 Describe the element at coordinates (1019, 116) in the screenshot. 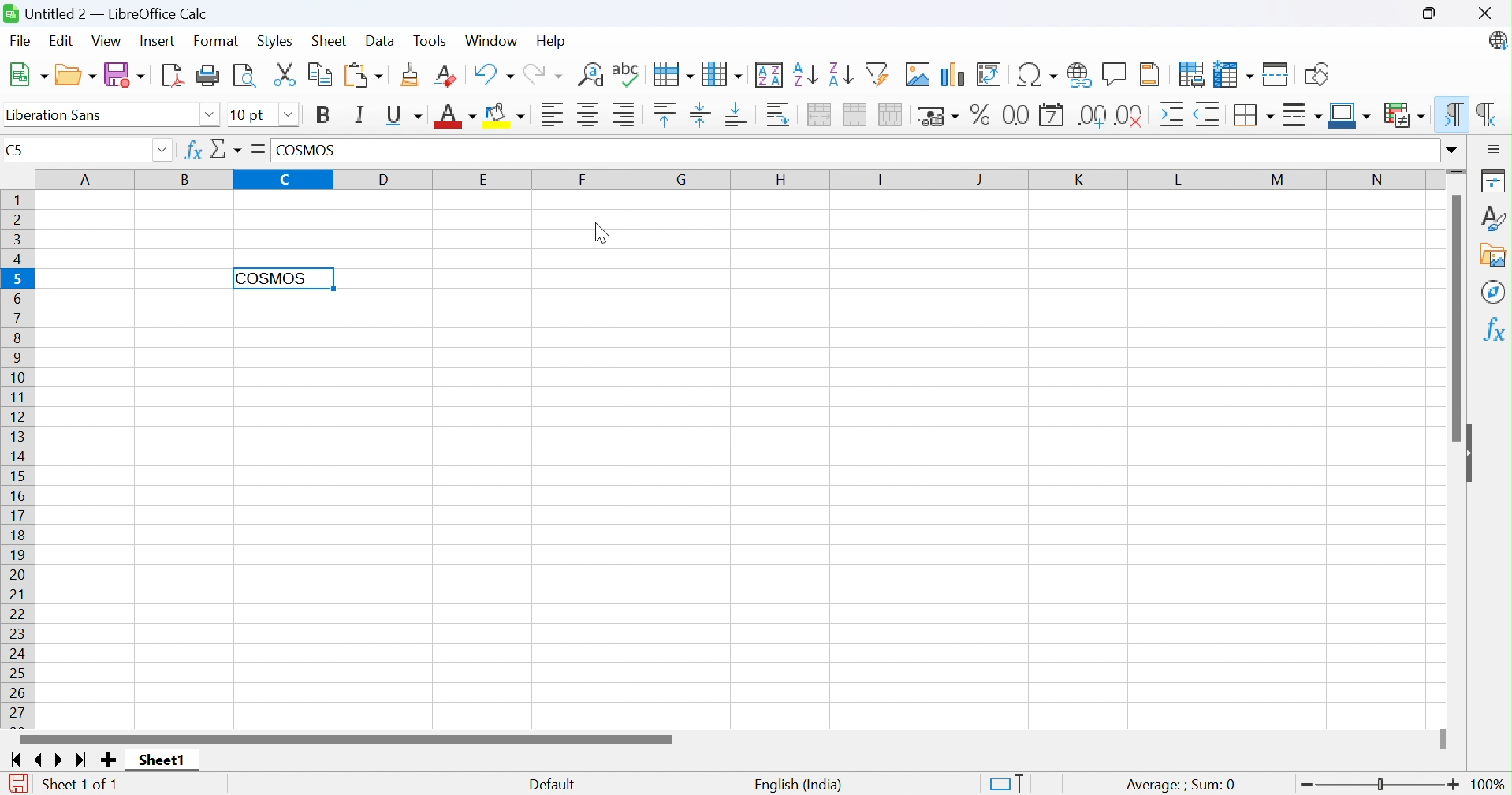

I see `Format as number` at that location.